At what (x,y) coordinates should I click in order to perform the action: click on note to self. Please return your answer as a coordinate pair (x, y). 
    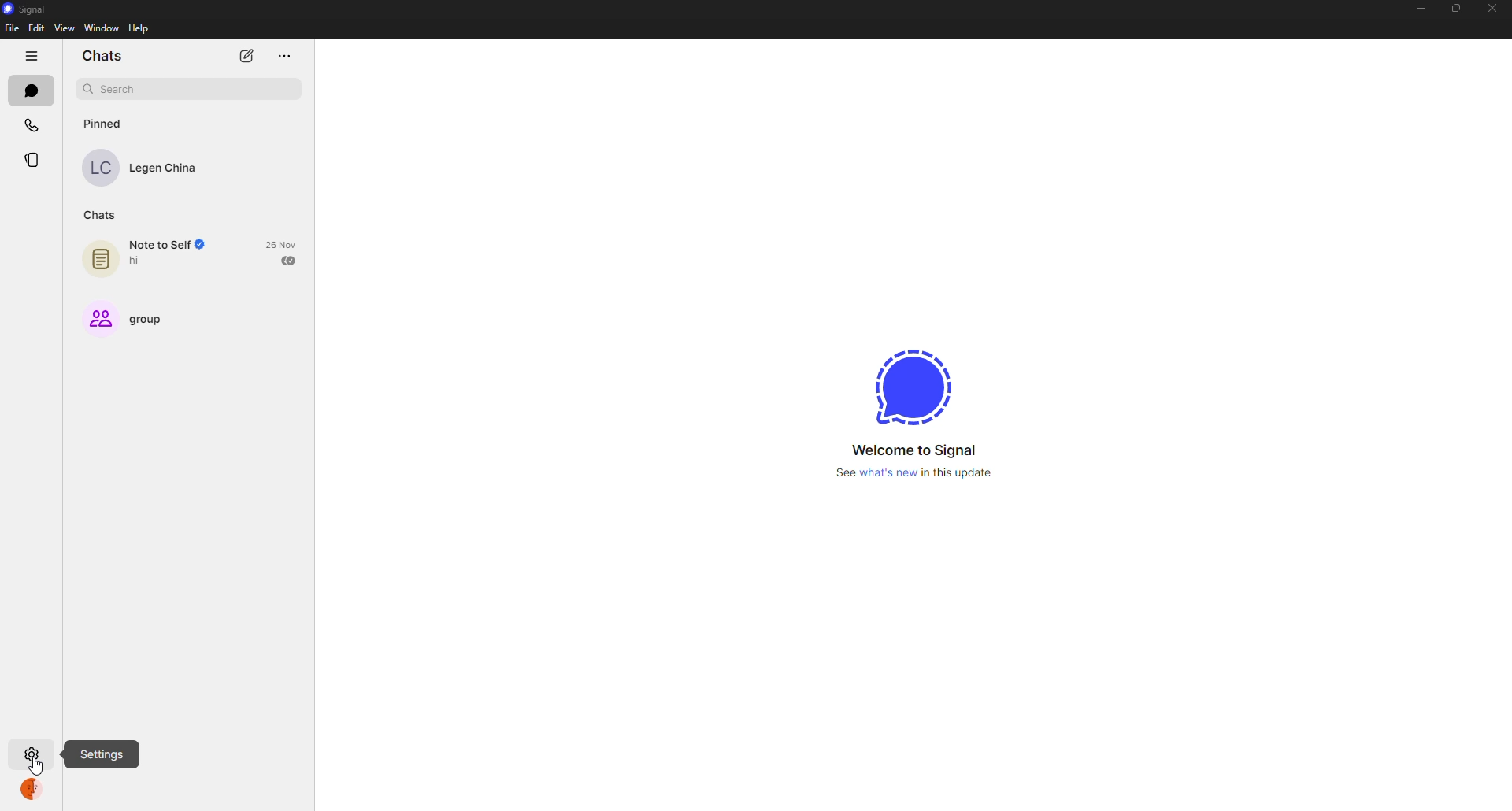
    Looking at the image, I should click on (151, 256).